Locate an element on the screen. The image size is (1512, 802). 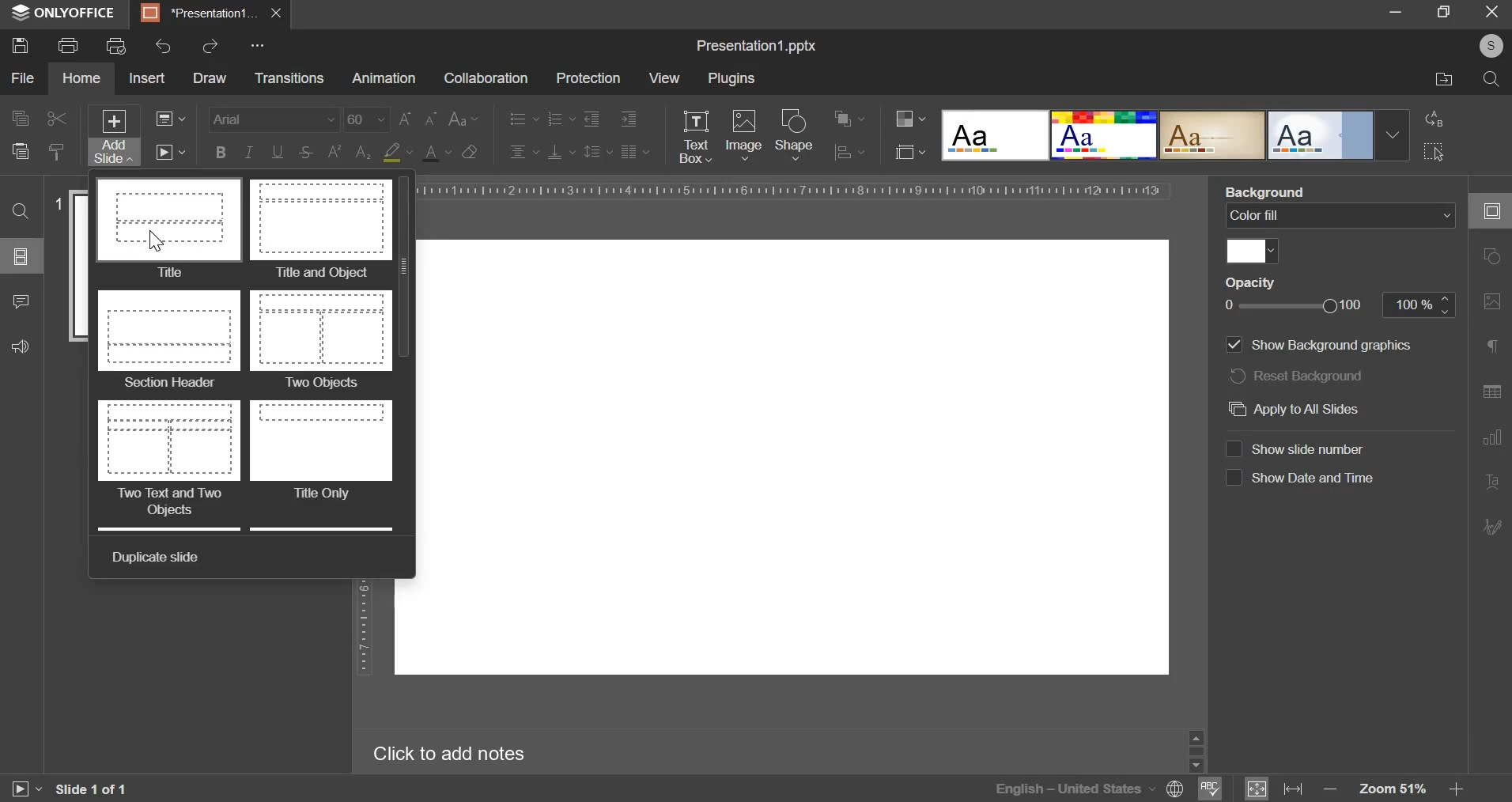
plugins is located at coordinates (731, 79).